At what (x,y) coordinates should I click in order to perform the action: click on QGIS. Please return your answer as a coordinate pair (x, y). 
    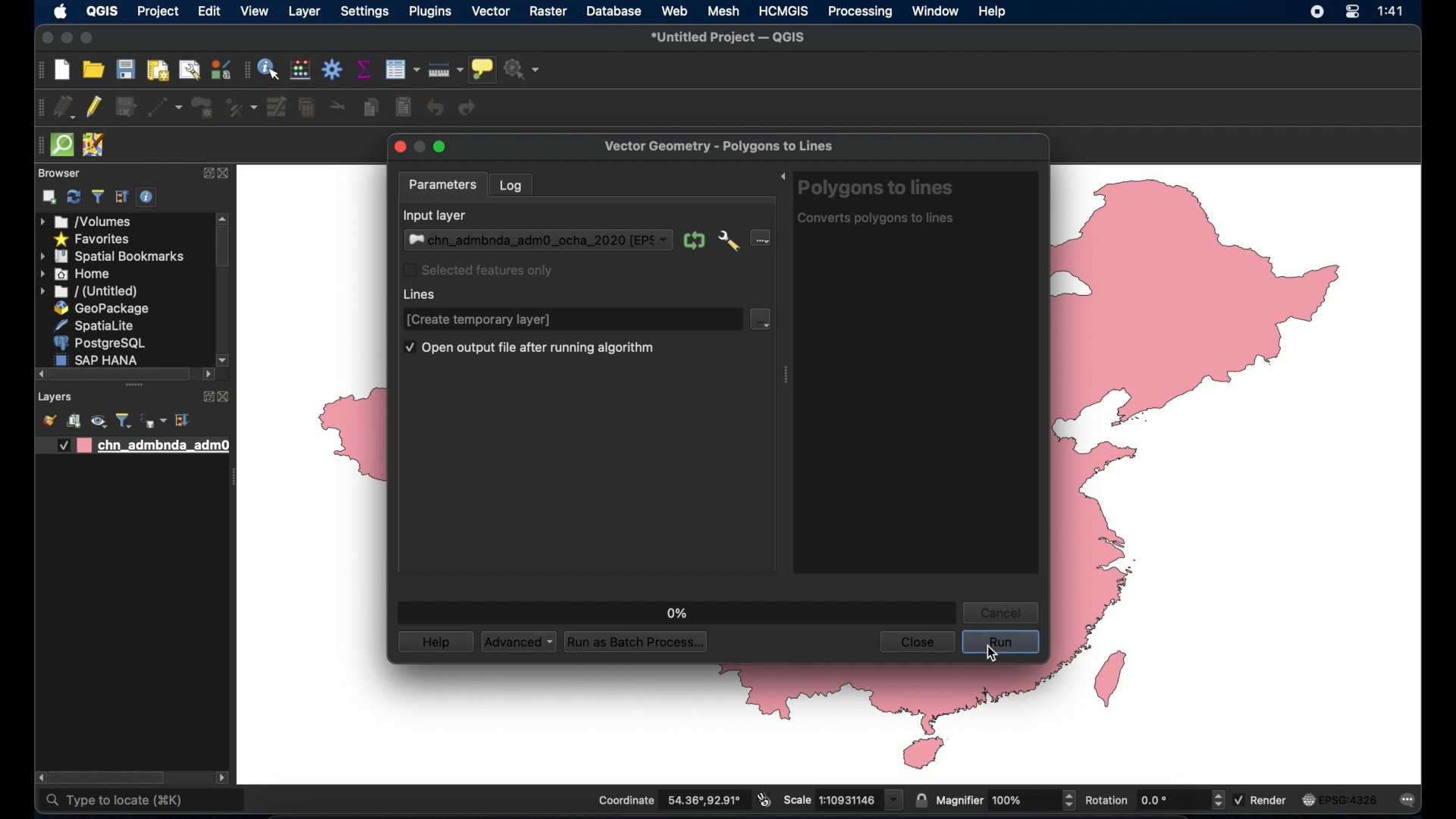
    Looking at the image, I should click on (101, 11).